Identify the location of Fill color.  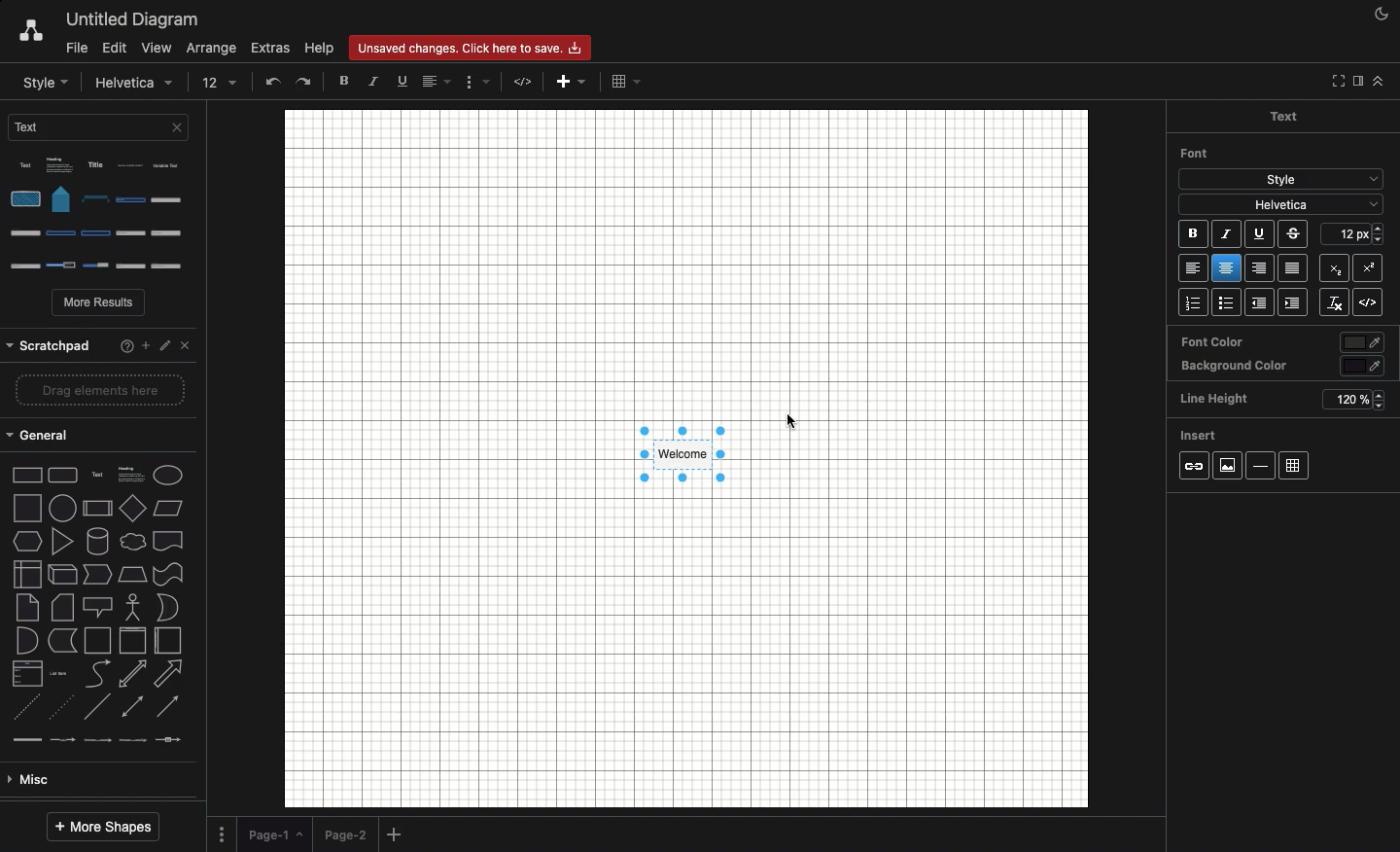
(414, 83).